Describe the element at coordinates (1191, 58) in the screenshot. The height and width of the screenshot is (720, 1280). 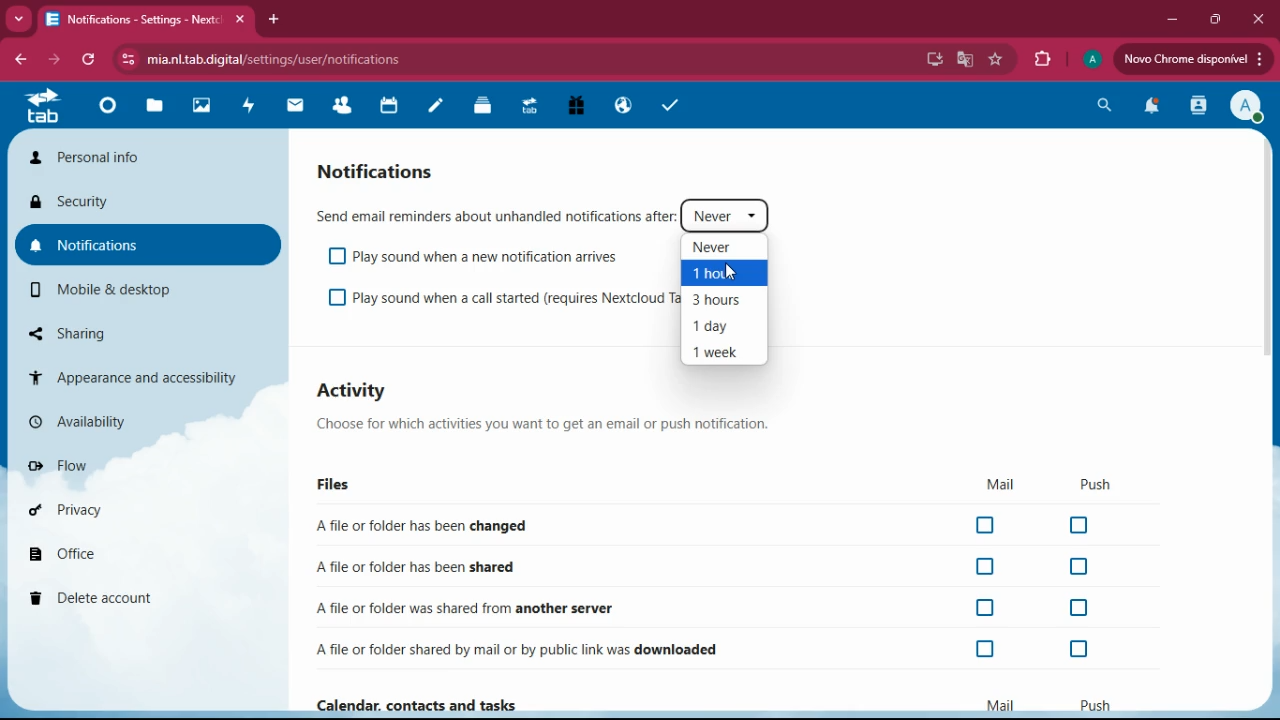
I see `update` at that location.